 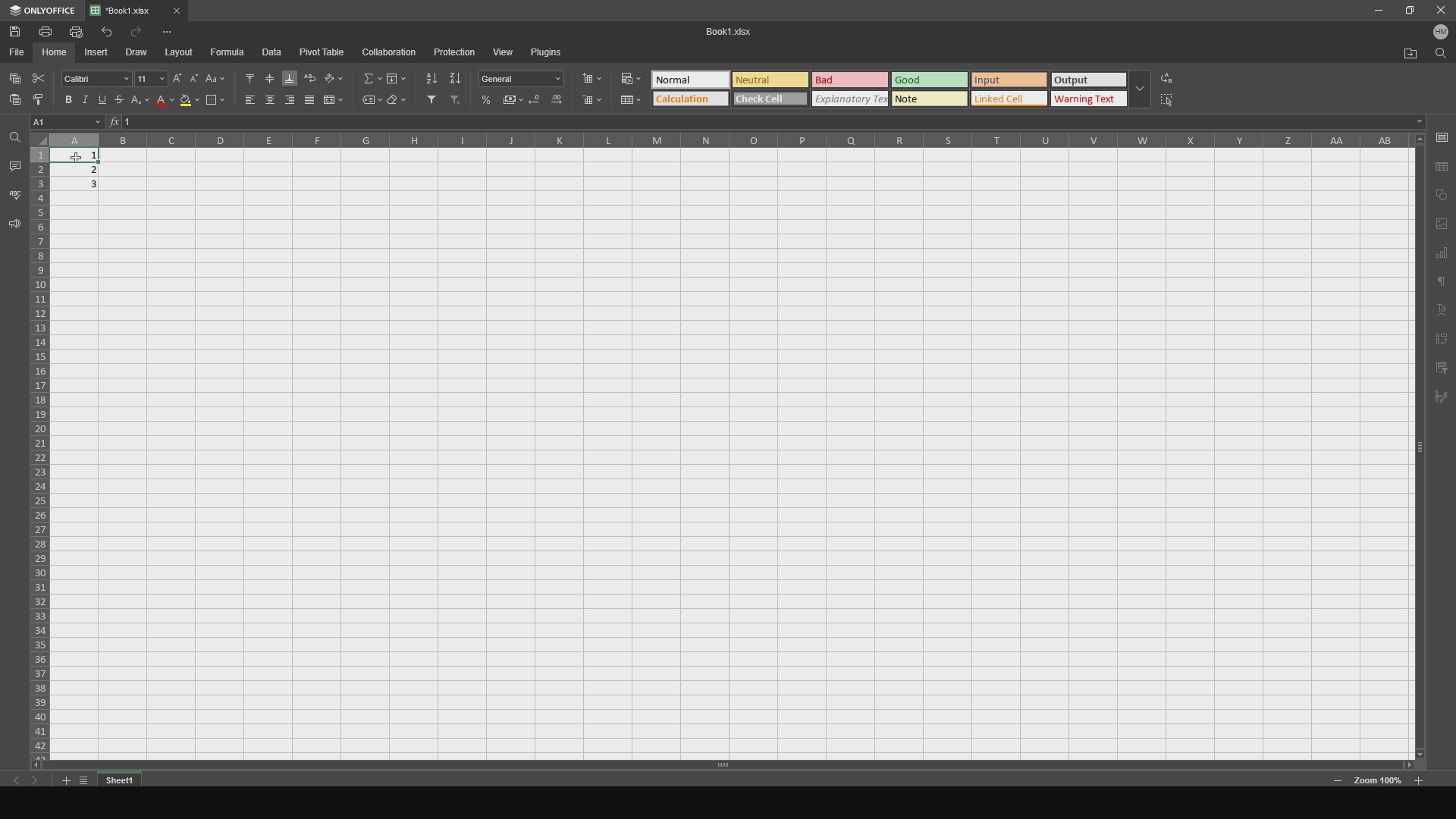 I want to click on delete cells, so click(x=592, y=101).